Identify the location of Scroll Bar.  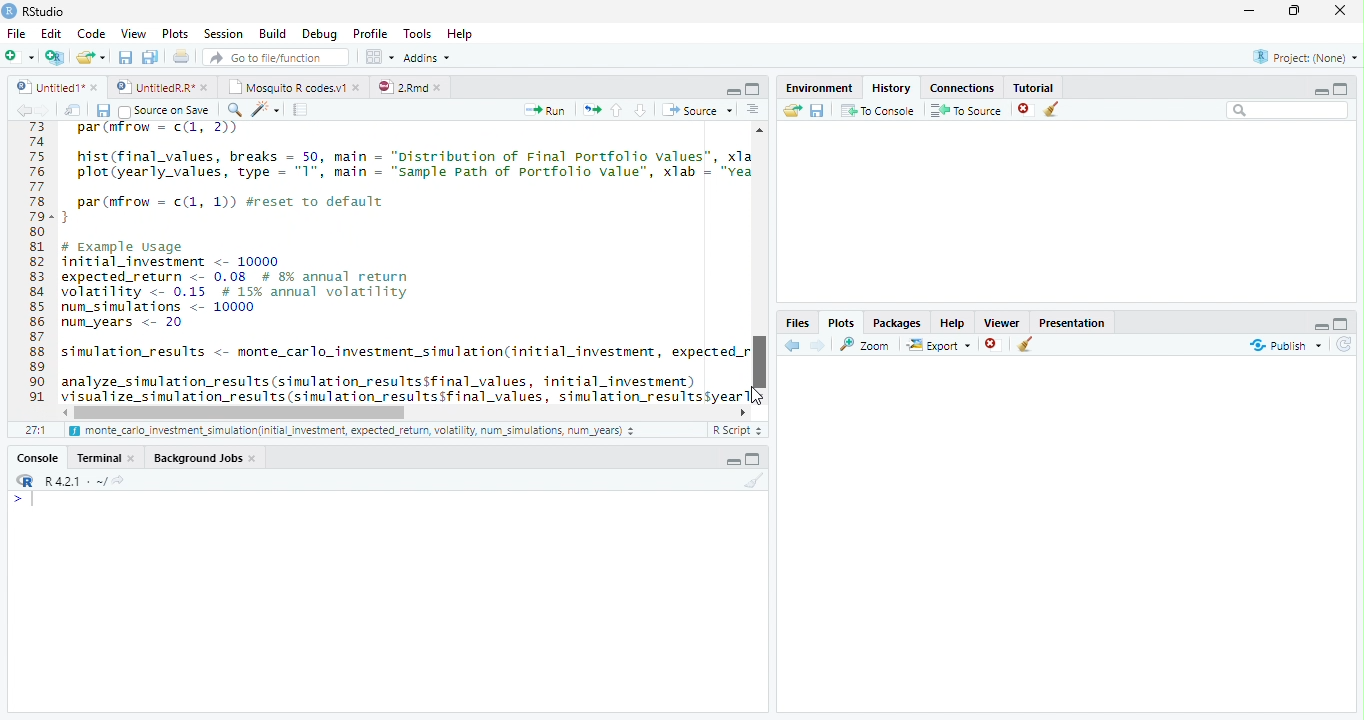
(760, 358).